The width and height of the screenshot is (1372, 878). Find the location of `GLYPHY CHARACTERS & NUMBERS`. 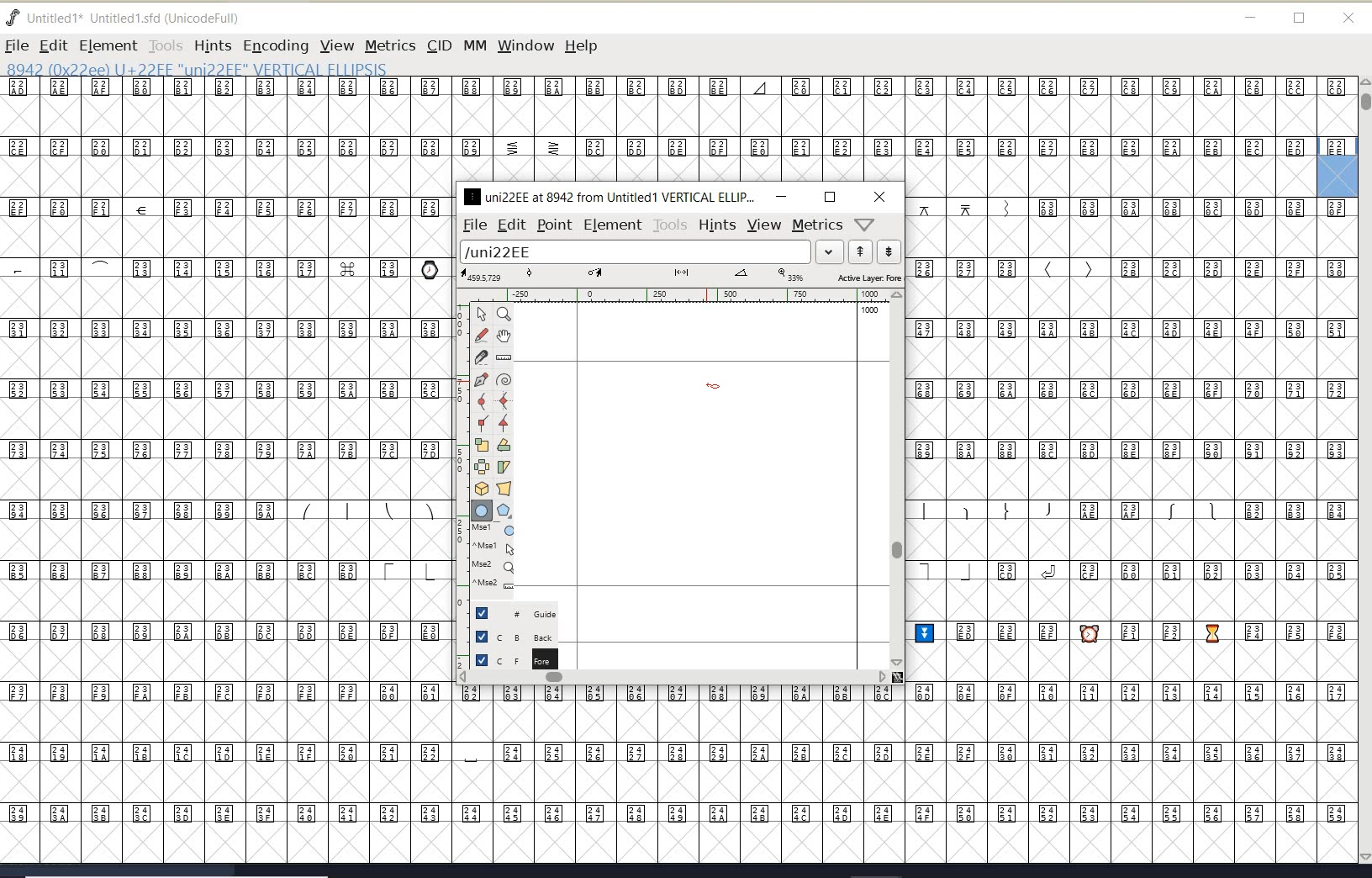

GLYPHY CHARACTERS & NUMBERS is located at coordinates (657, 130).